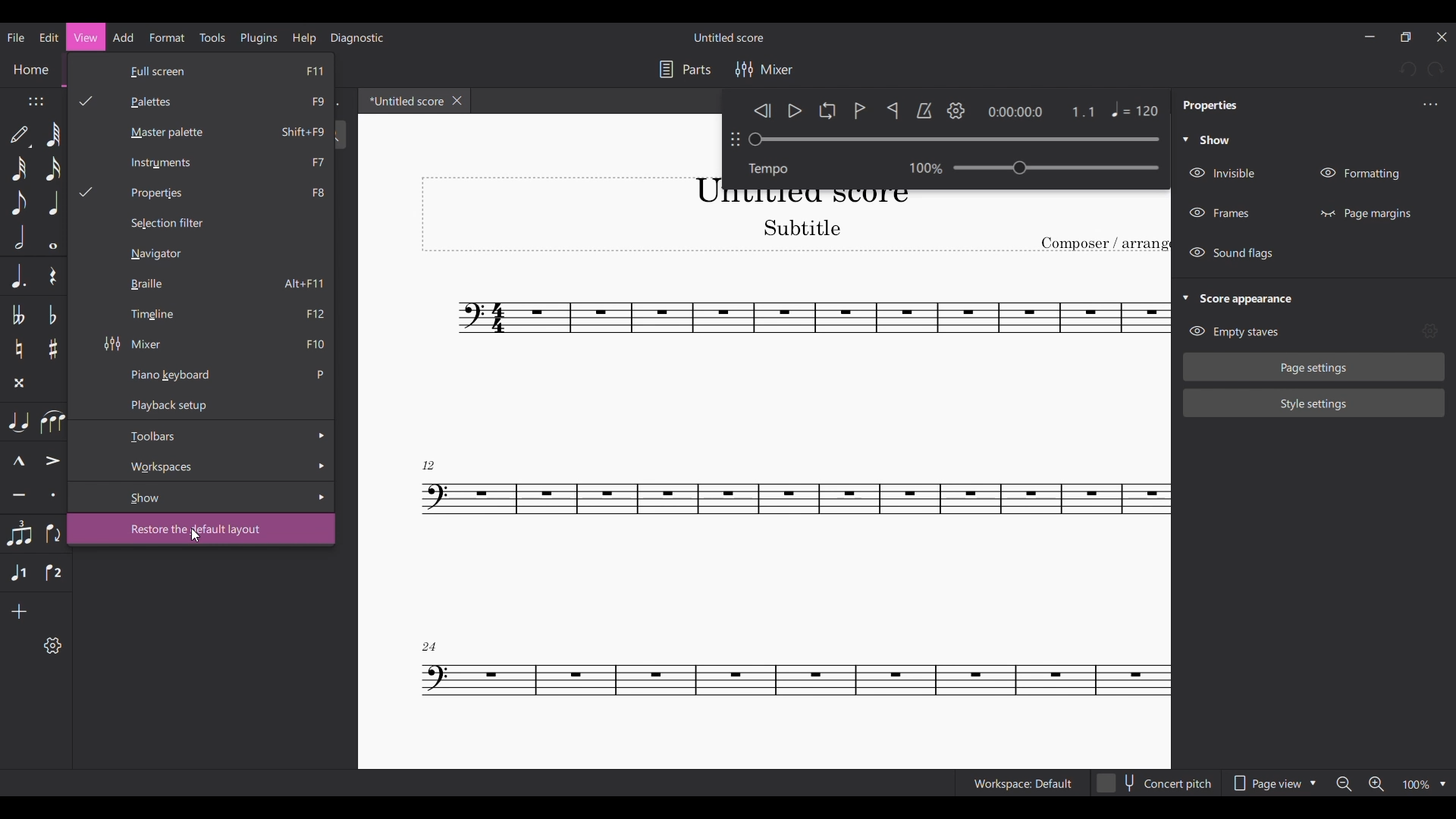  Describe the element at coordinates (1015, 111) in the screenshot. I see `0:00:00:0` at that location.